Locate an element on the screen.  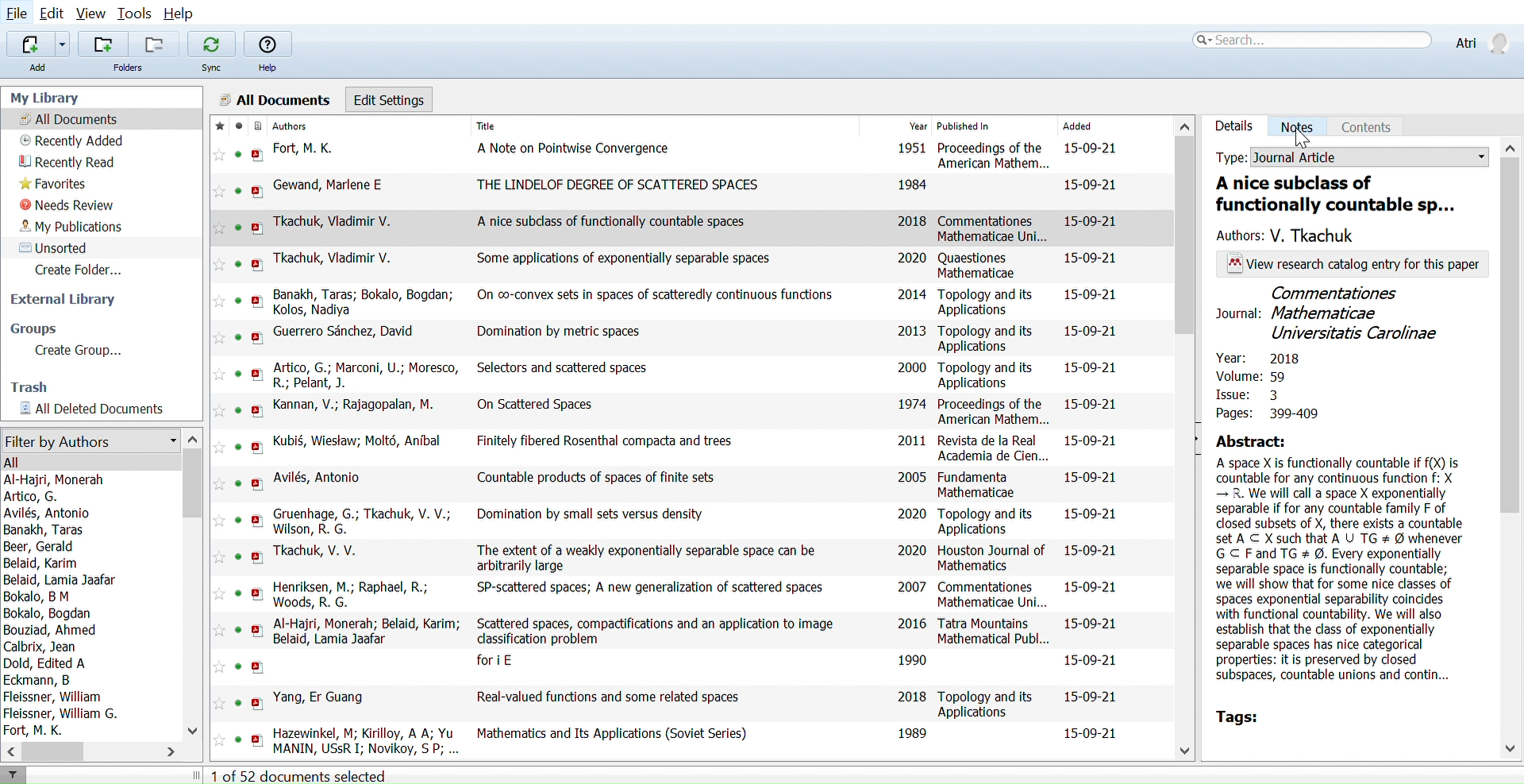
Move down in filter by authors is located at coordinates (191, 728).